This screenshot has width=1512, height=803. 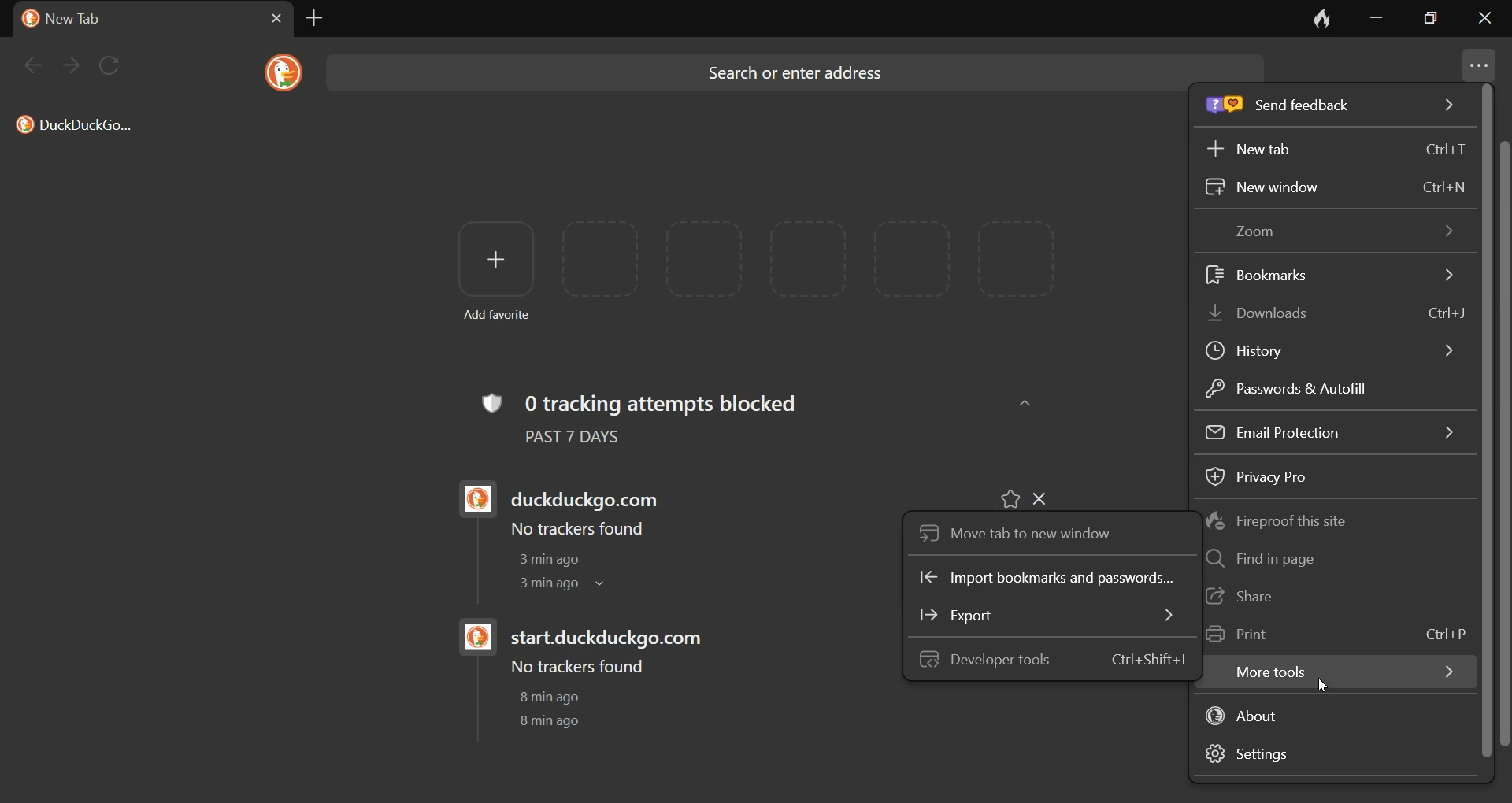 I want to click on duckduck go logo, so click(x=473, y=638).